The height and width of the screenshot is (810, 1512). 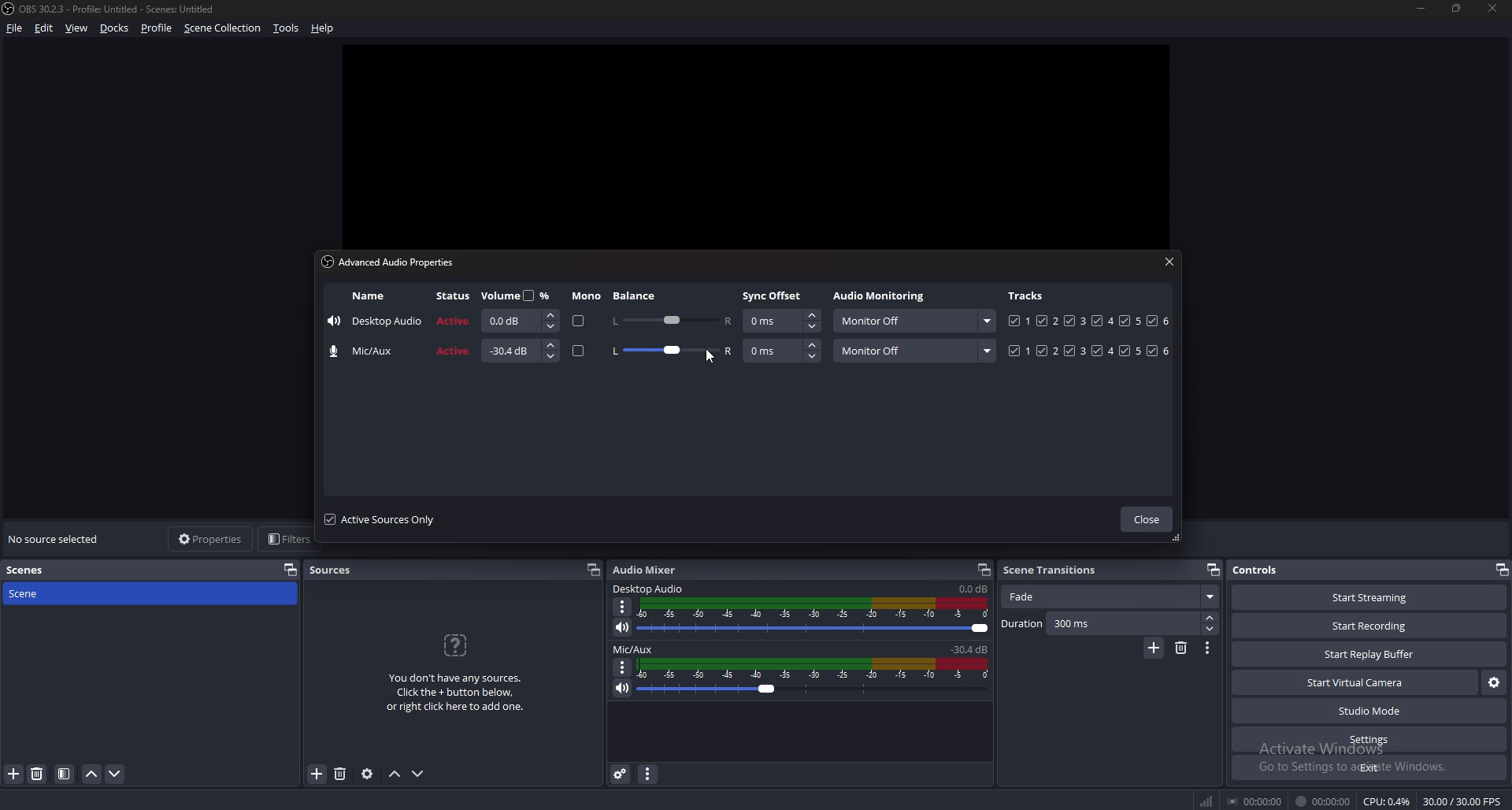 What do you see at coordinates (1088, 351) in the screenshot?
I see `tracks` at bounding box center [1088, 351].